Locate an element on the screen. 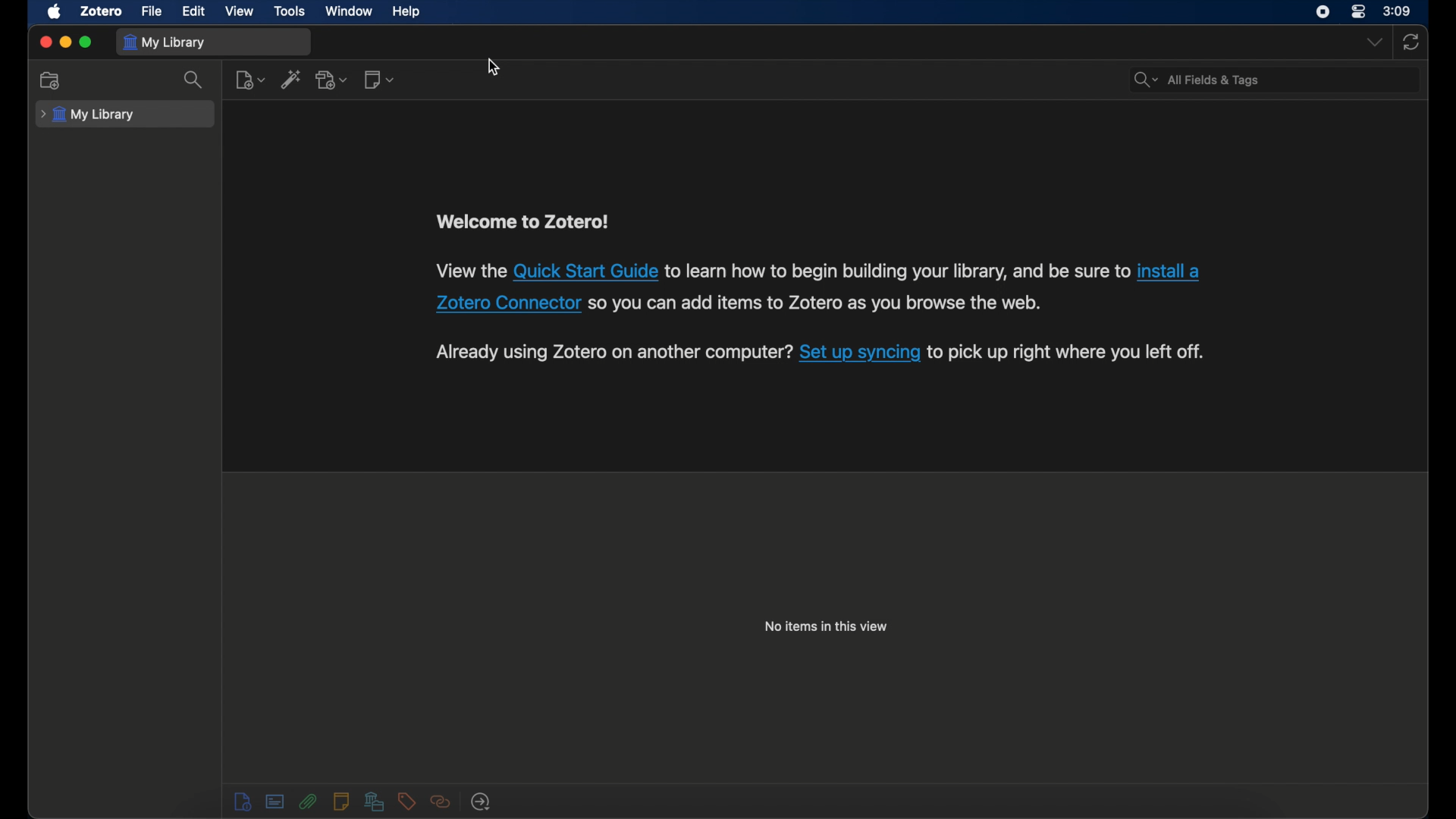  my library is located at coordinates (88, 115).